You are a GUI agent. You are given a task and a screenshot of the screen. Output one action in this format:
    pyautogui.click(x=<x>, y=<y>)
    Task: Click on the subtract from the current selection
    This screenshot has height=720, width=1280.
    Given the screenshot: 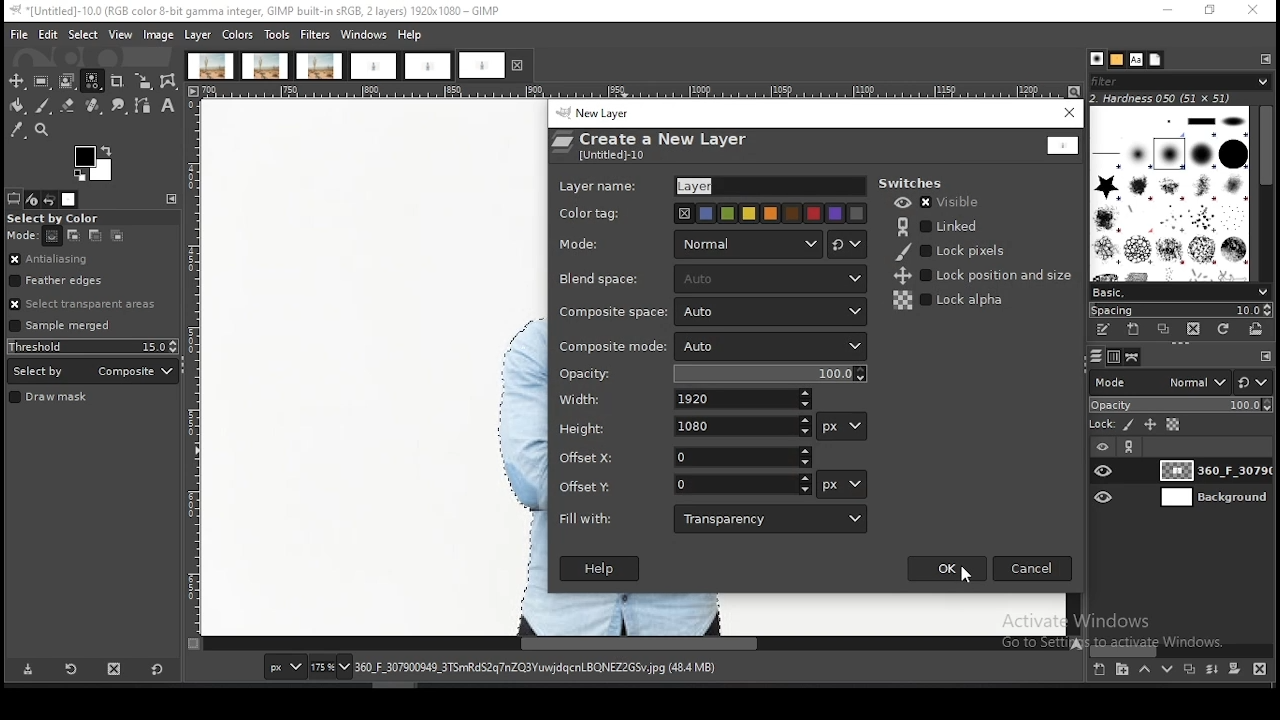 What is the action you would take?
    pyautogui.click(x=94, y=236)
    